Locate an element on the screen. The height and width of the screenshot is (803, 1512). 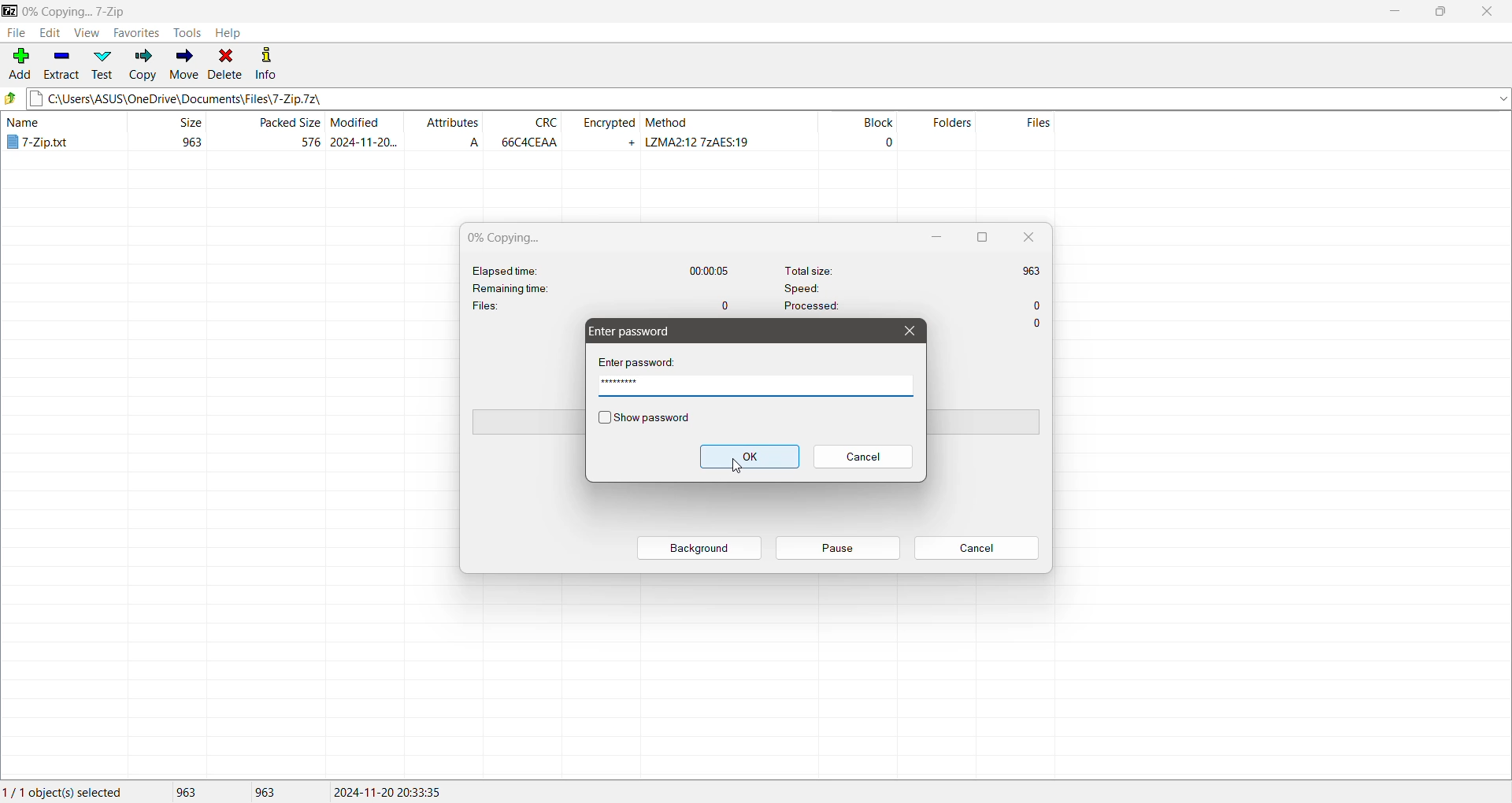
cursor is located at coordinates (731, 469).